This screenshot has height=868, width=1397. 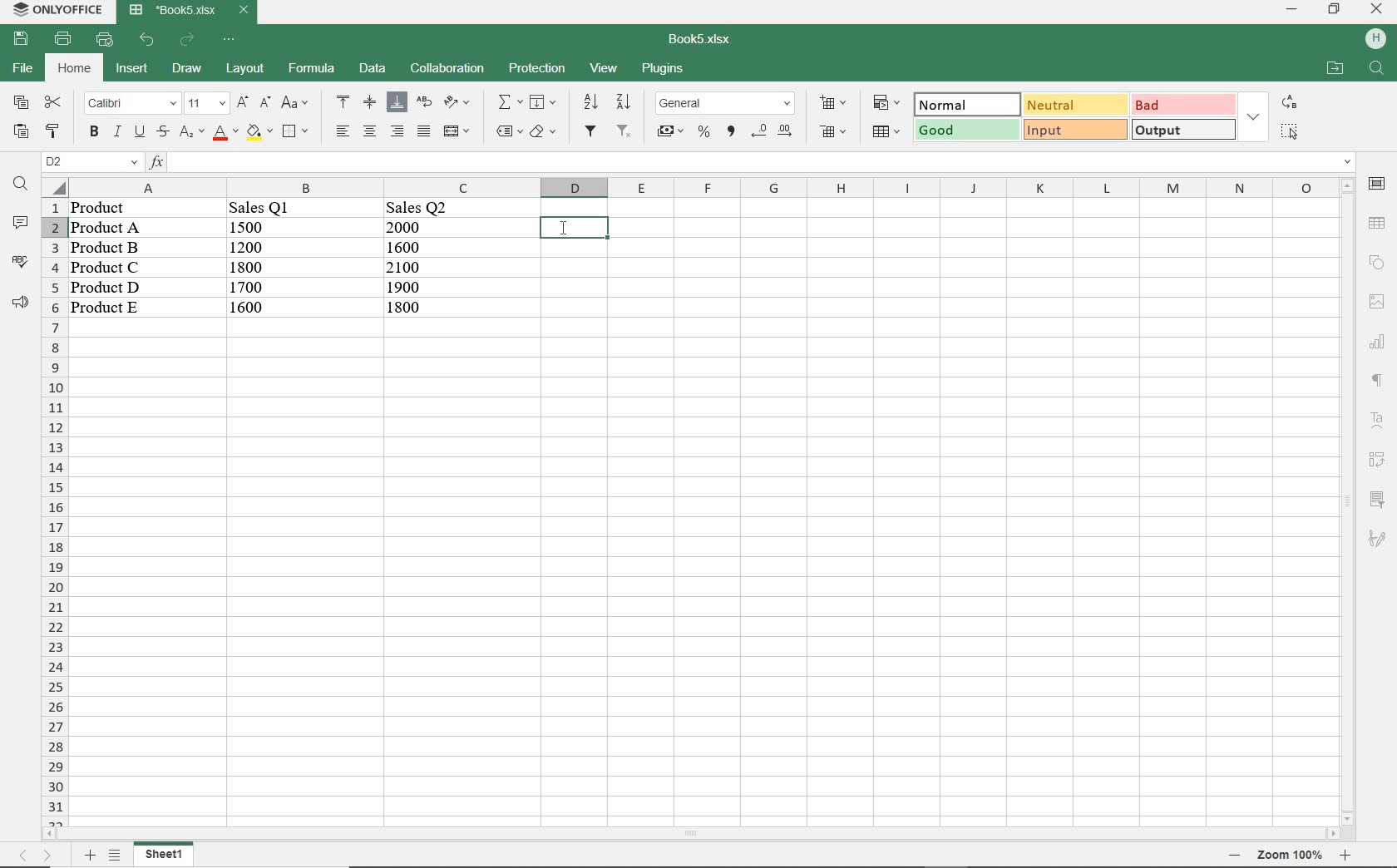 What do you see at coordinates (1378, 222) in the screenshot?
I see `table` at bounding box center [1378, 222].